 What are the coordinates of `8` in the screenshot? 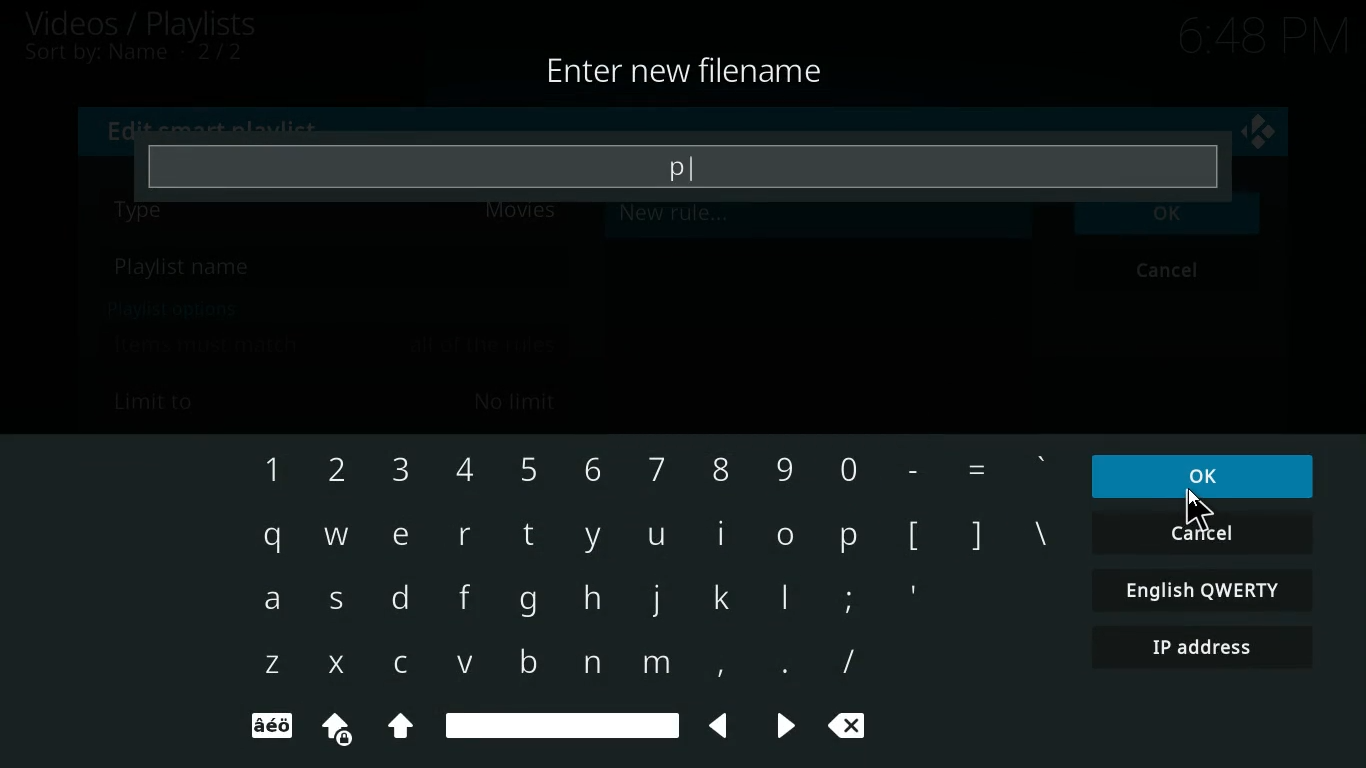 It's located at (714, 466).